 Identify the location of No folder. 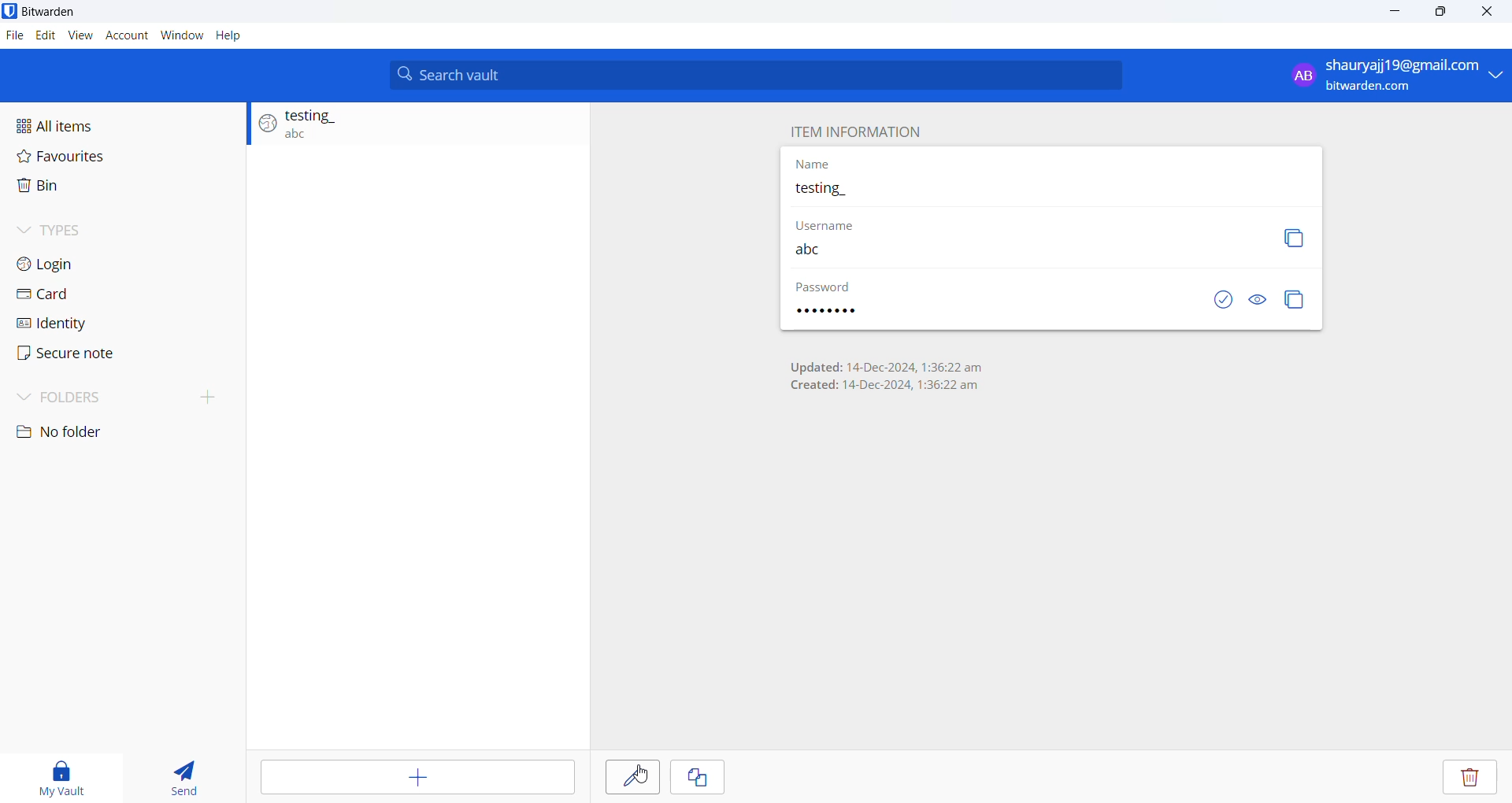
(78, 434).